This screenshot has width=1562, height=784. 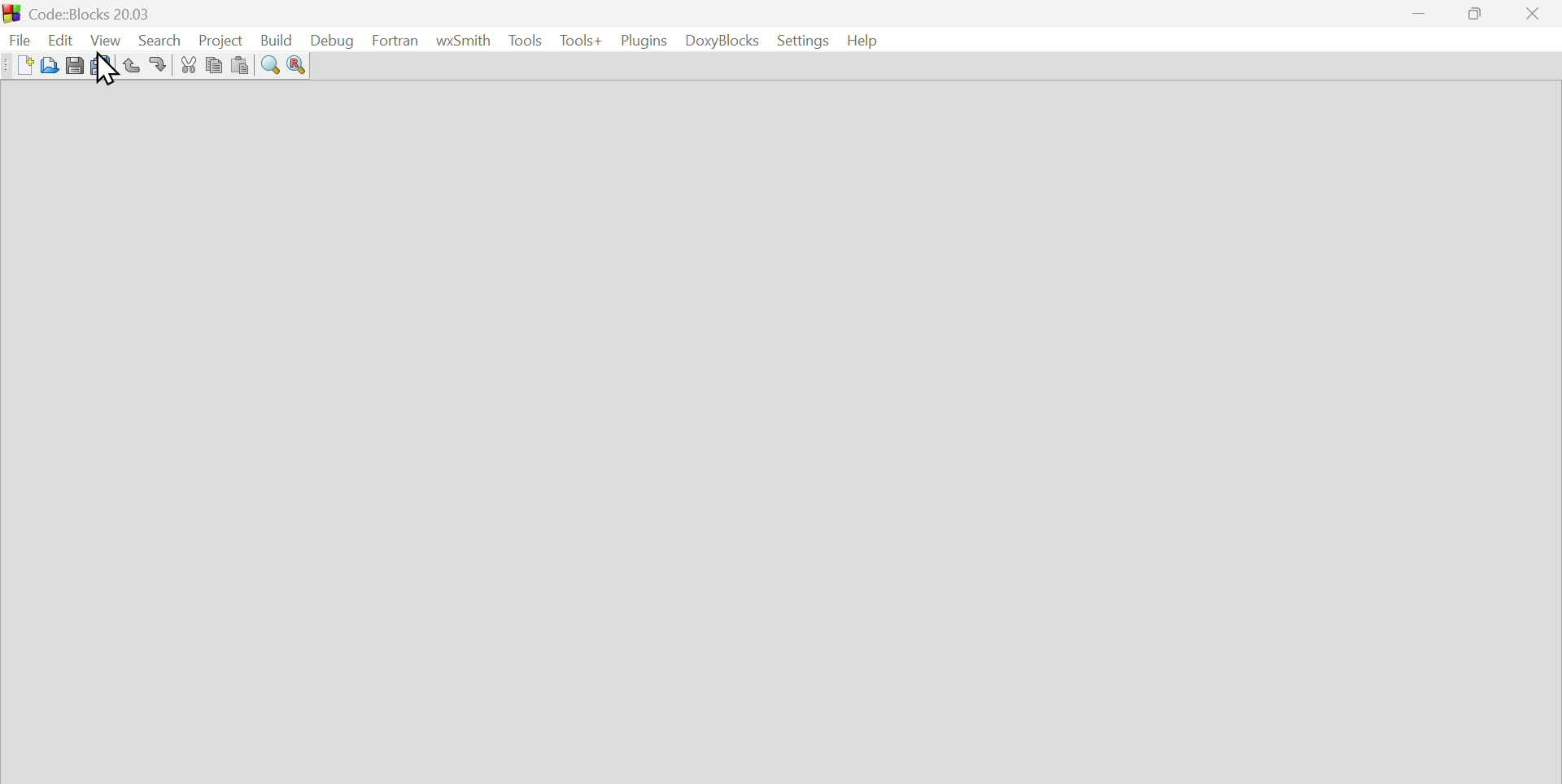 I want to click on Build, so click(x=276, y=39).